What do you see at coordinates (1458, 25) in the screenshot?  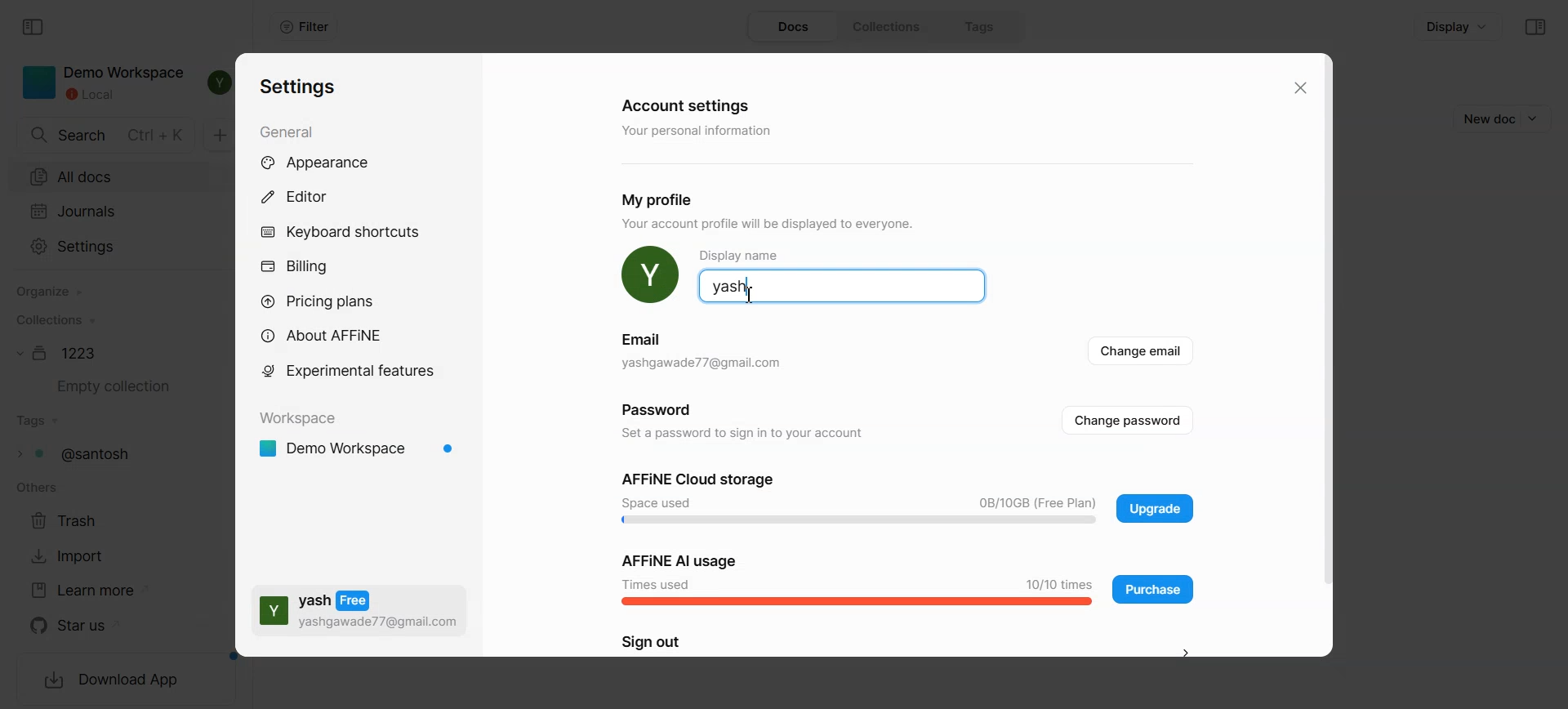 I see `Display` at bounding box center [1458, 25].